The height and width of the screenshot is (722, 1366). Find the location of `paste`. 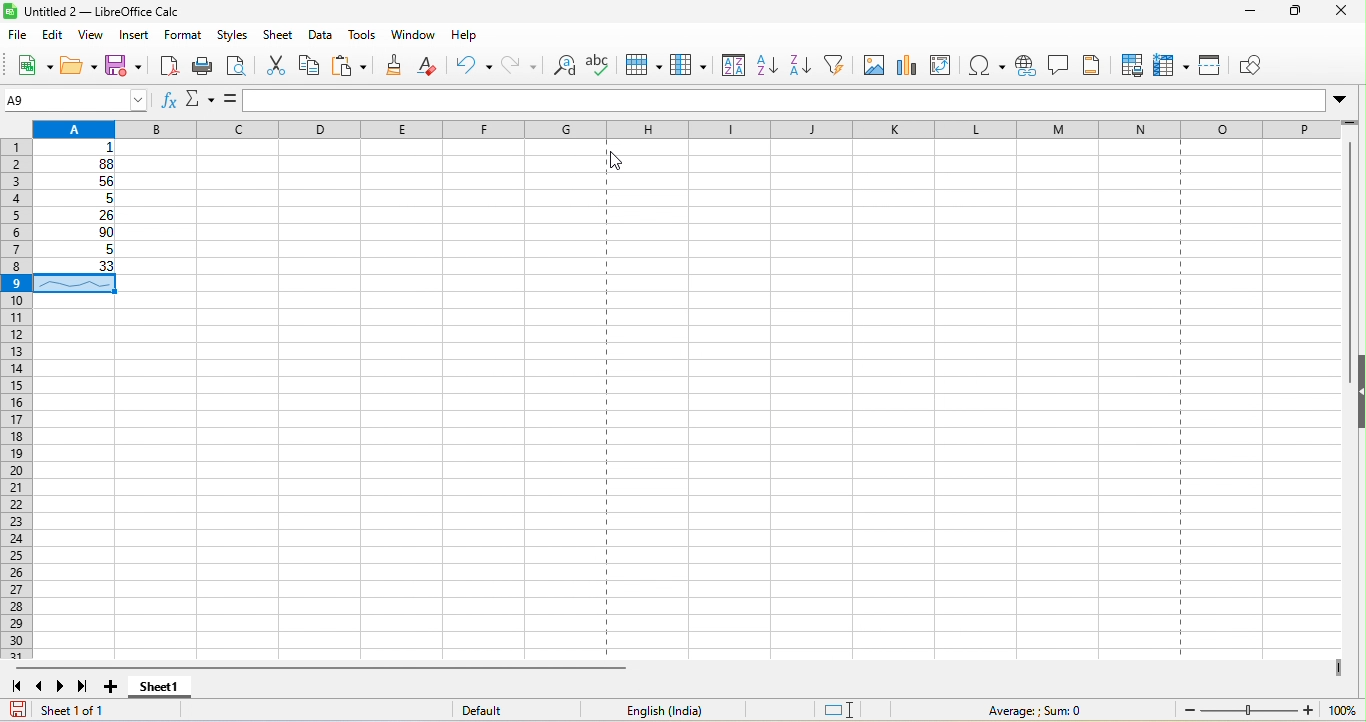

paste is located at coordinates (353, 67).